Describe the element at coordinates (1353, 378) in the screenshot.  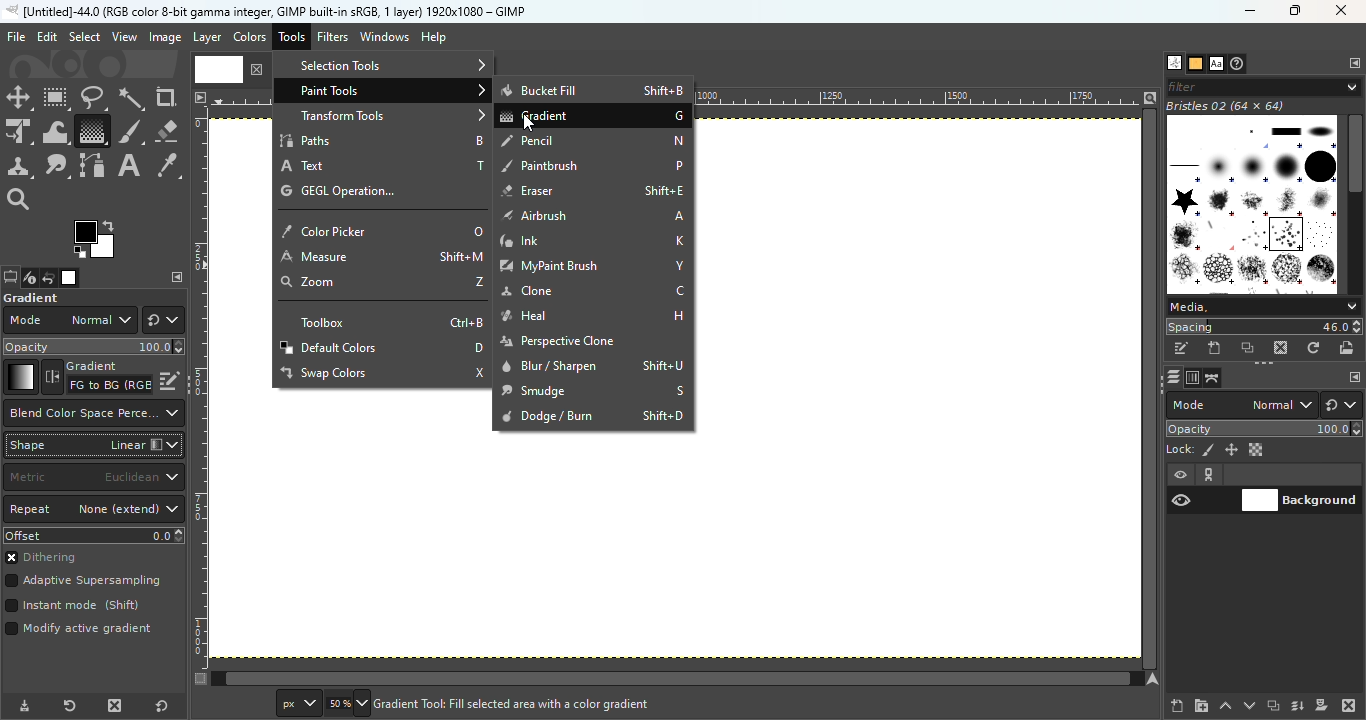
I see `Configure this tab` at that location.